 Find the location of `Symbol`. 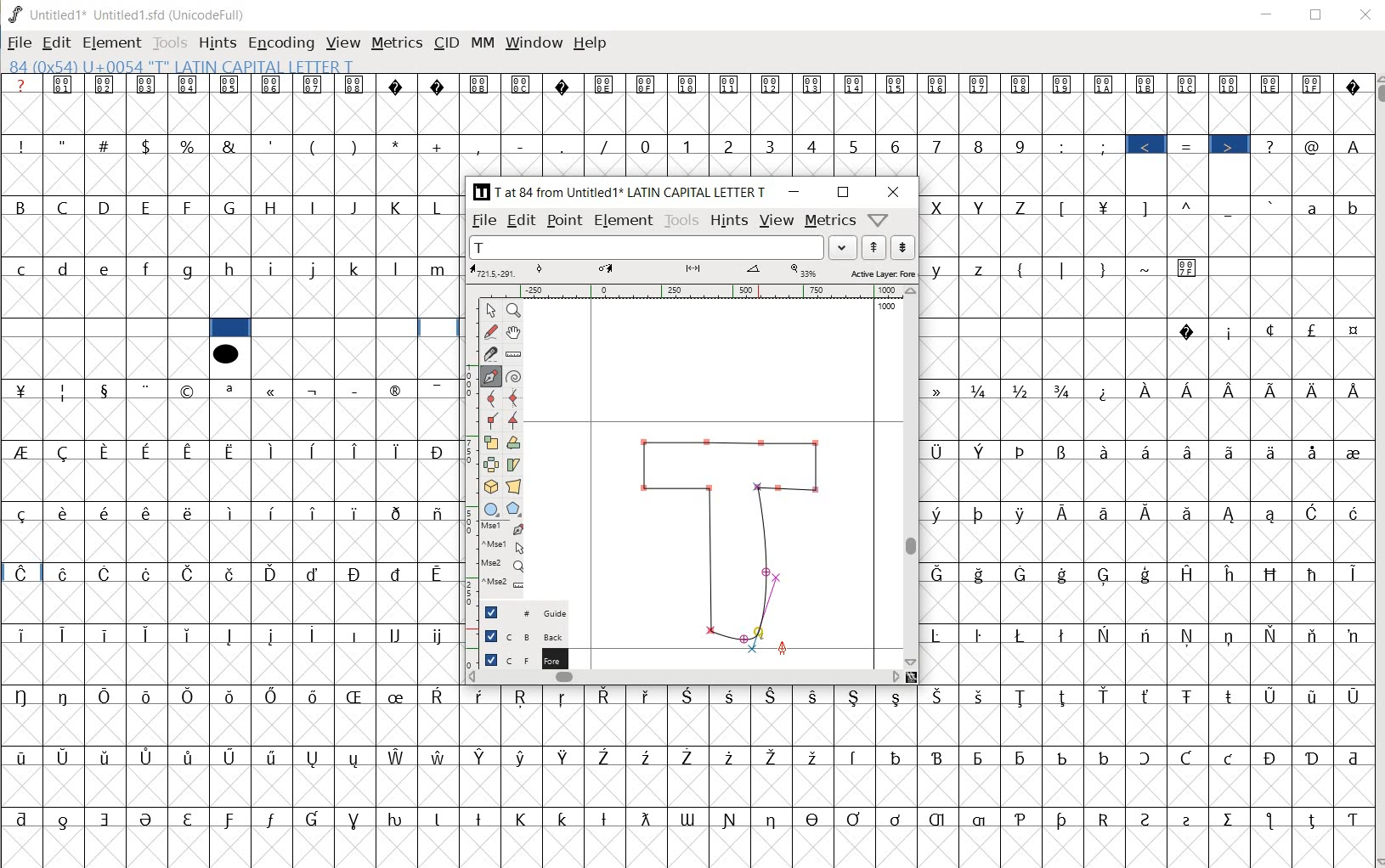

Symbol is located at coordinates (482, 696).